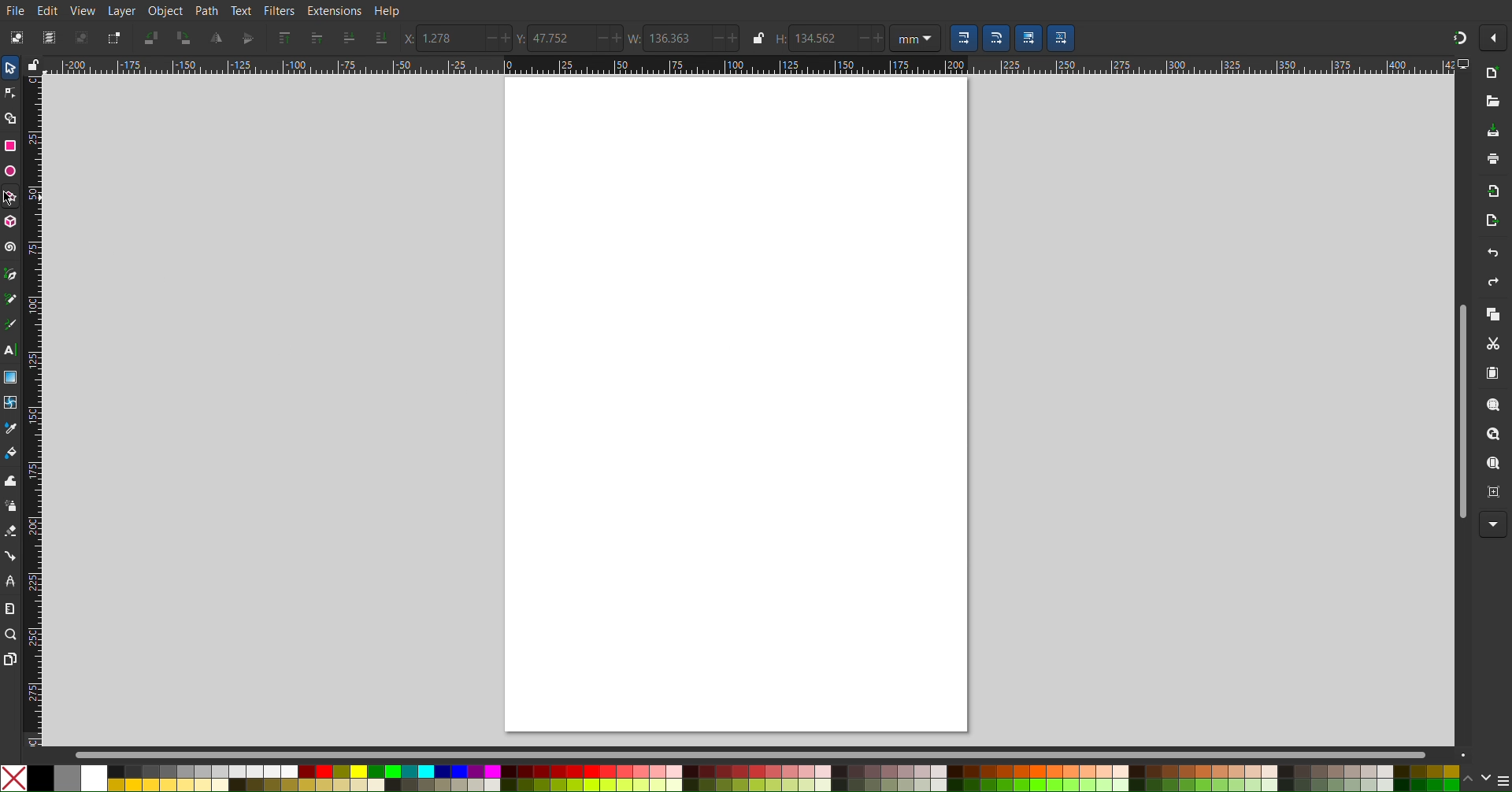 The width and height of the screenshot is (1512, 792). I want to click on Save, so click(1493, 131).